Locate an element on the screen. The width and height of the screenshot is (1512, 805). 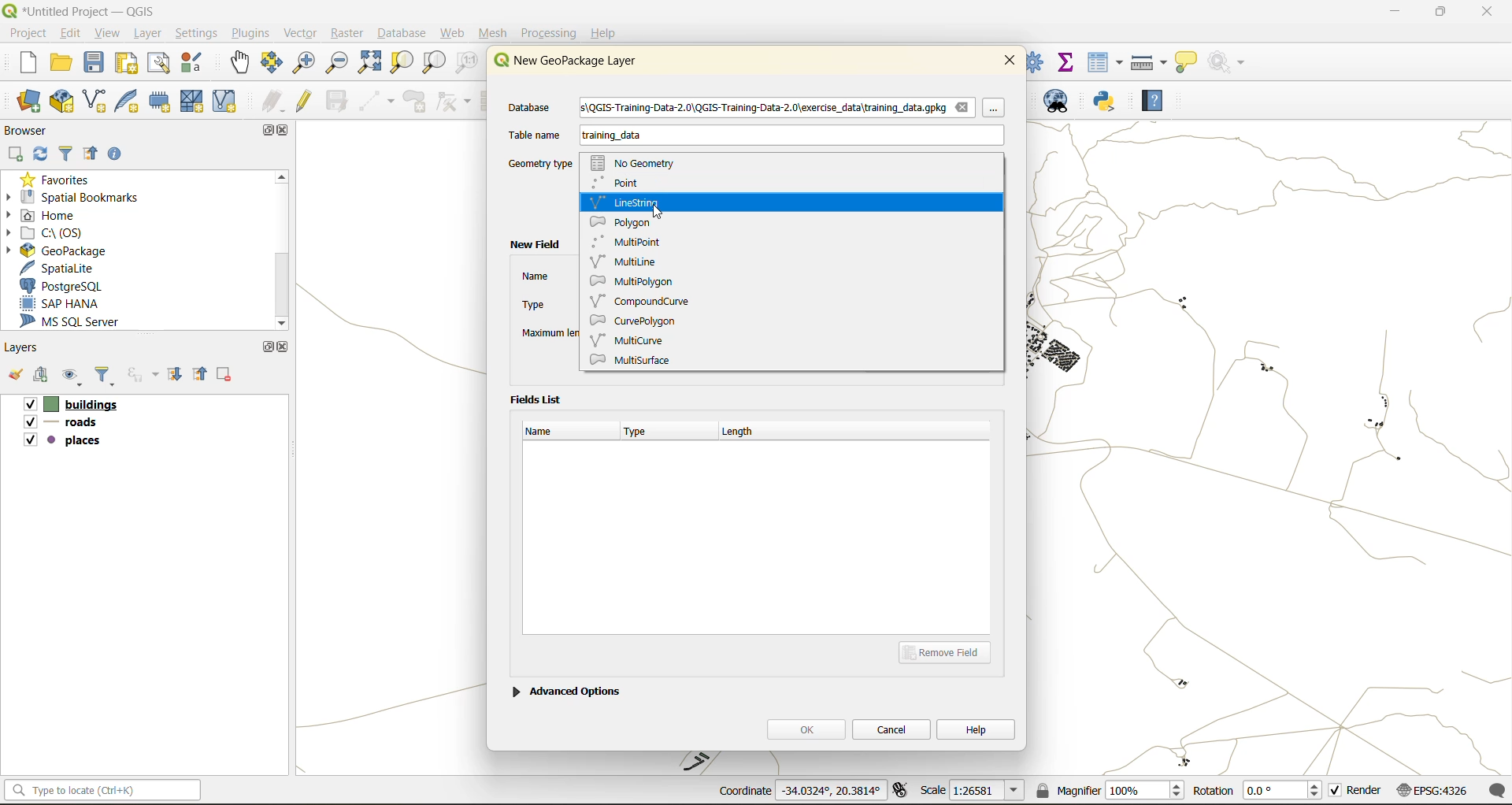
layers is located at coordinates (25, 348).